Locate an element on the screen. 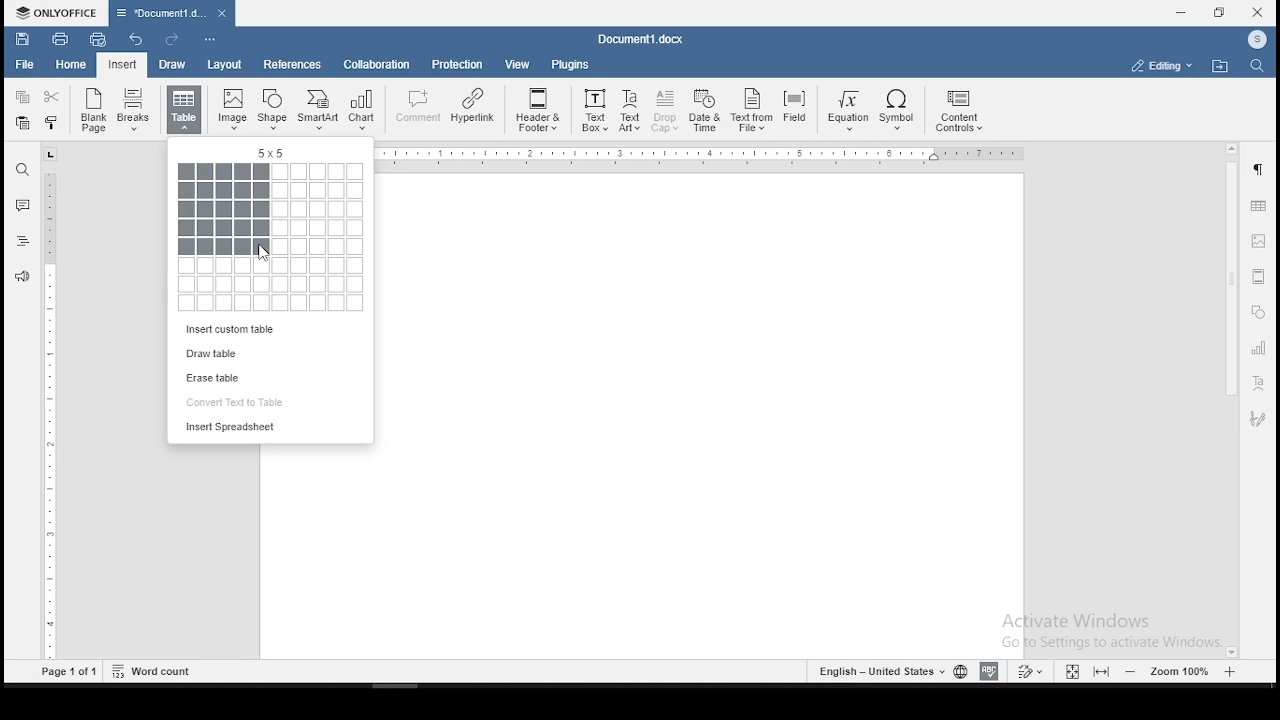 This screenshot has height=720, width=1280. scrollbar is located at coordinates (1229, 400).